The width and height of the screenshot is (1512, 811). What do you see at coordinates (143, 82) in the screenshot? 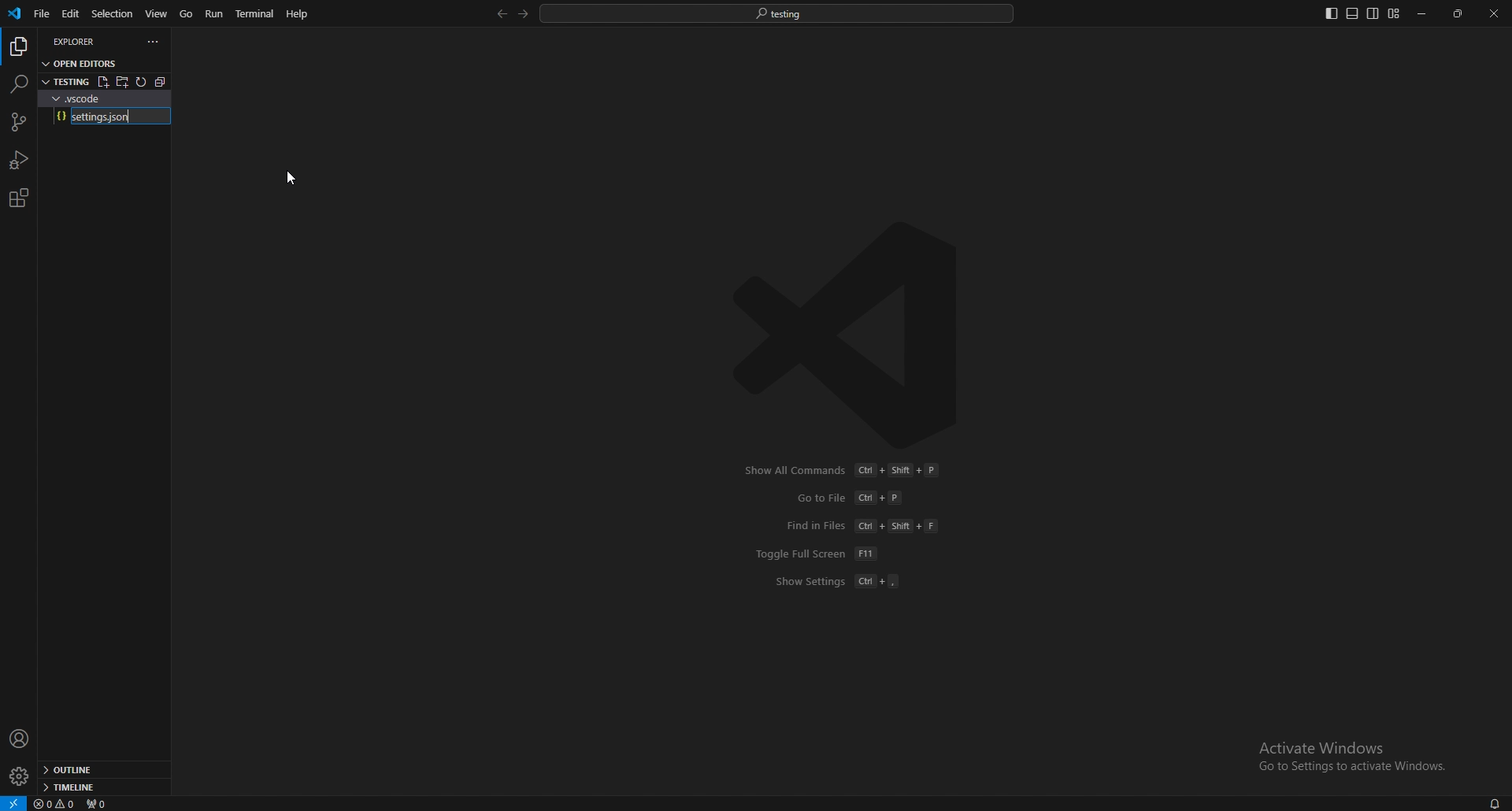
I see `refresh` at bounding box center [143, 82].